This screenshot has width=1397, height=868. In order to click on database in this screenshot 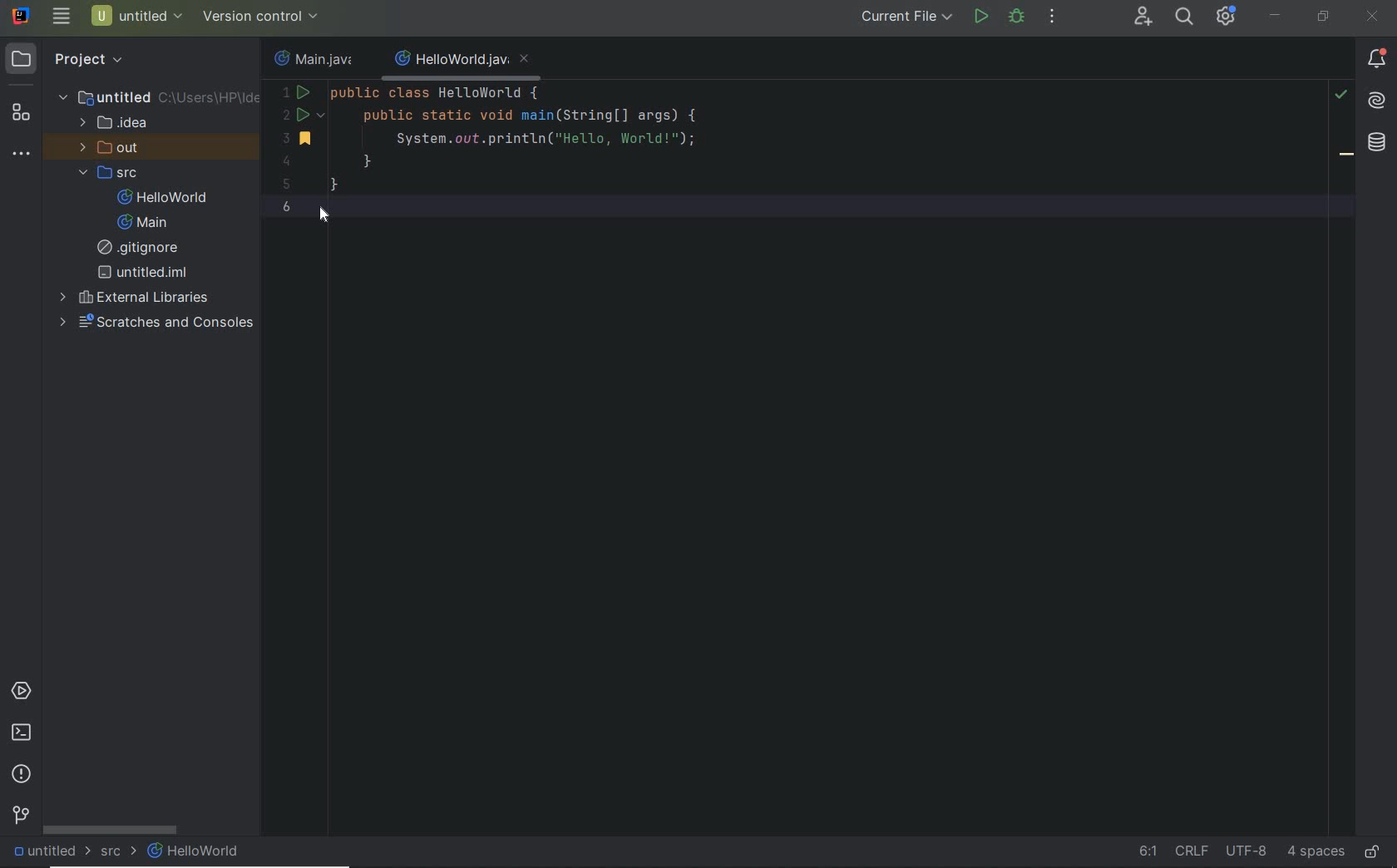, I will do `click(1377, 145)`.